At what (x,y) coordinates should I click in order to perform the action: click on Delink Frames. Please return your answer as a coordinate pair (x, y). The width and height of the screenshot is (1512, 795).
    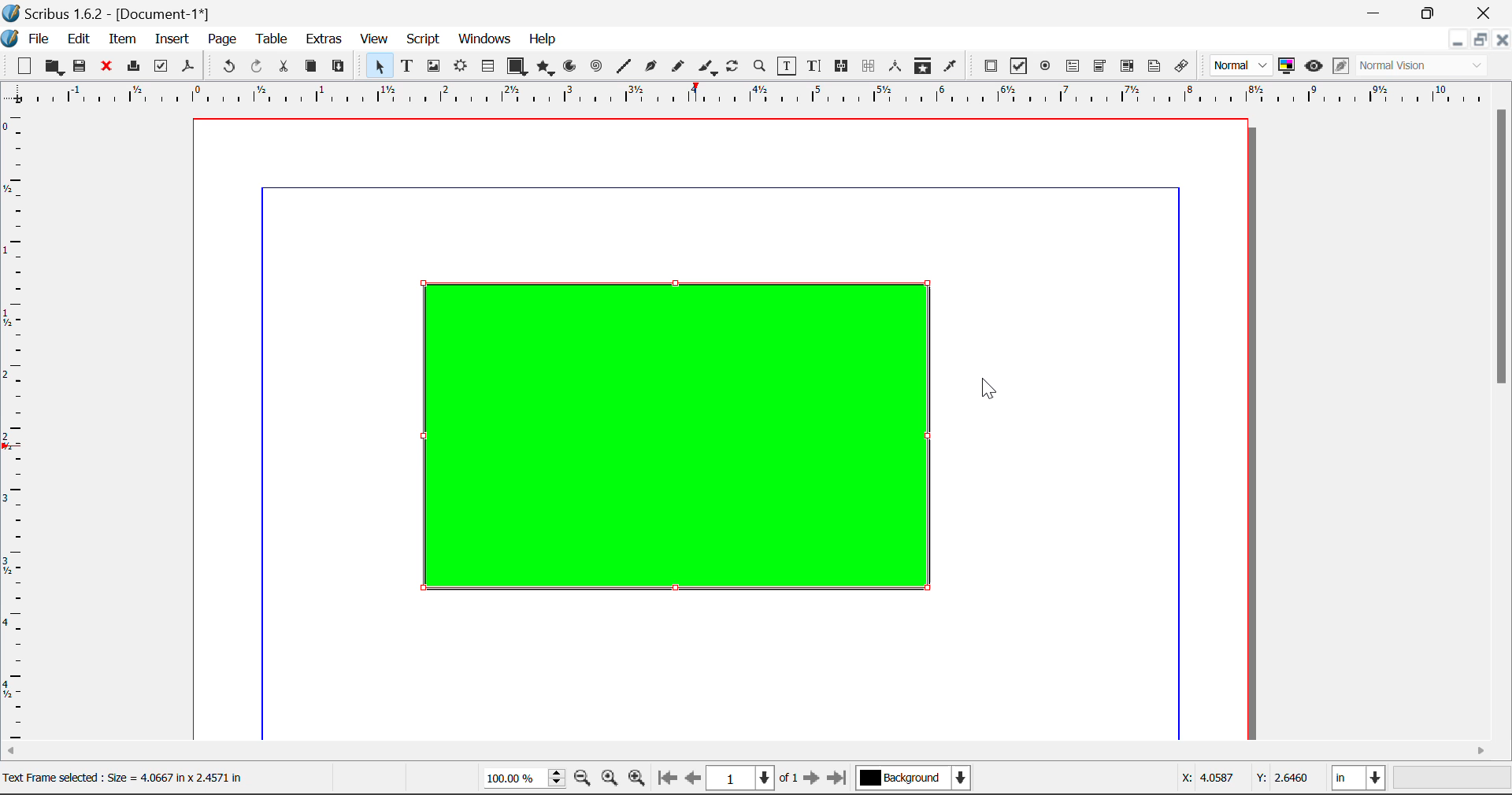
    Looking at the image, I should click on (870, 66).